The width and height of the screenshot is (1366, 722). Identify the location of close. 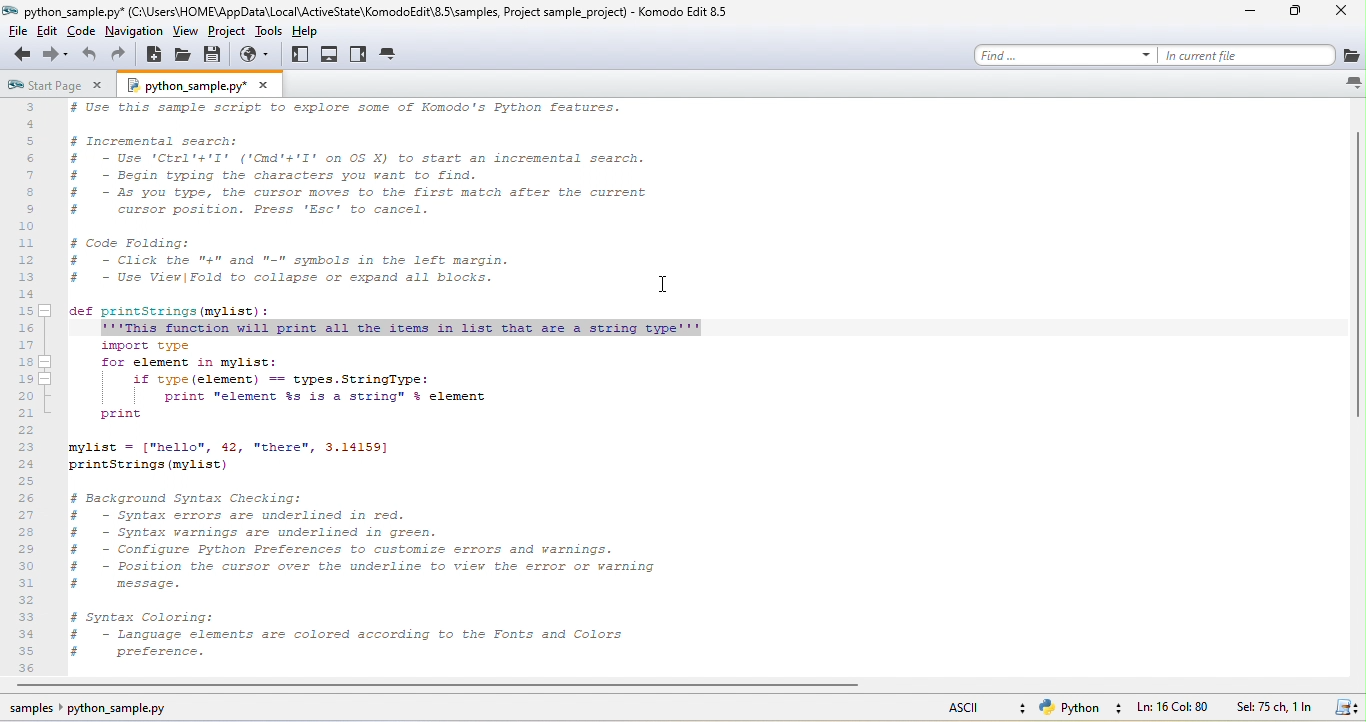
(264, 85).